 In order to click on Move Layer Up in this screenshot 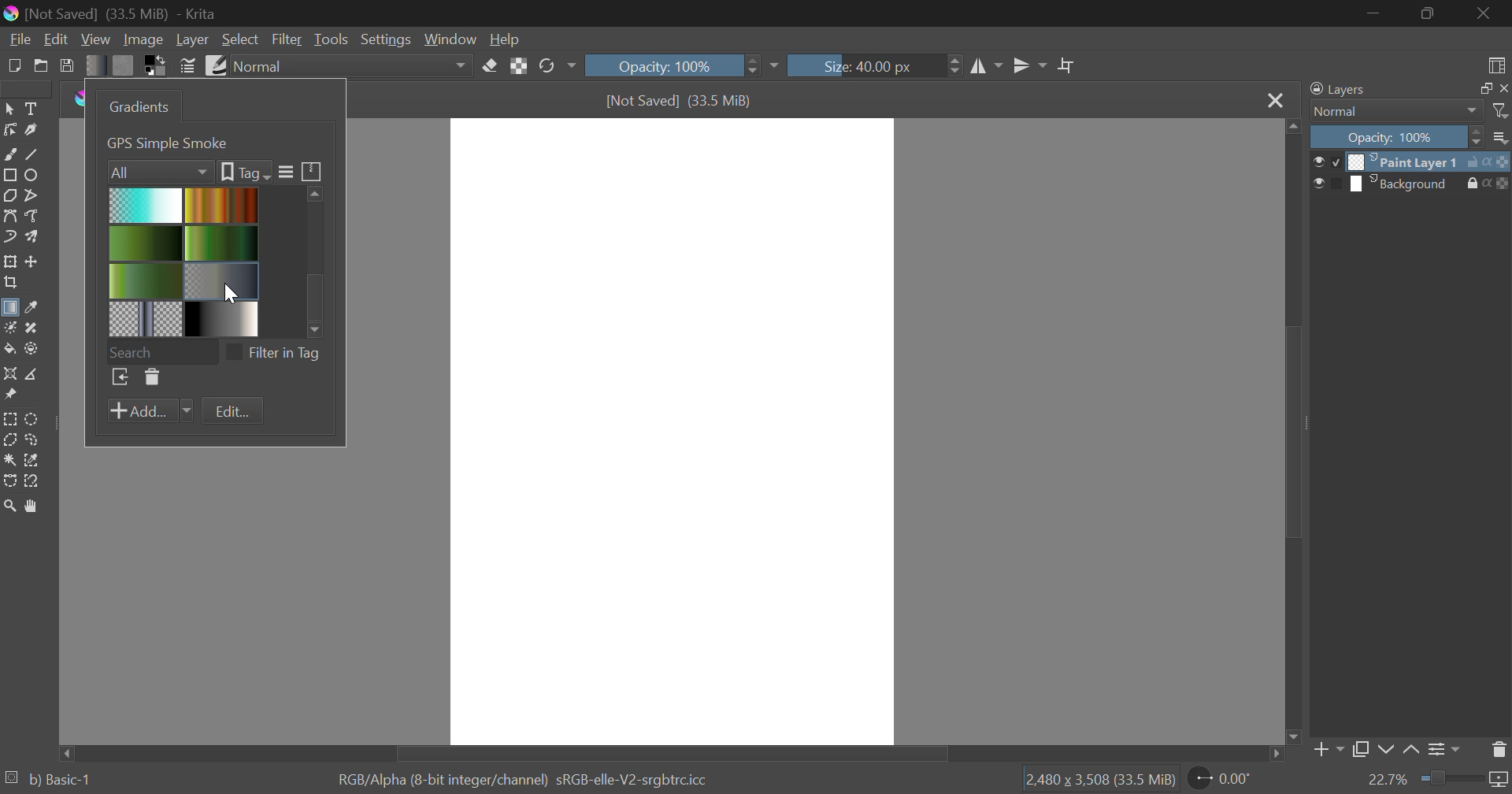, I will do `click(1412, 751)`.